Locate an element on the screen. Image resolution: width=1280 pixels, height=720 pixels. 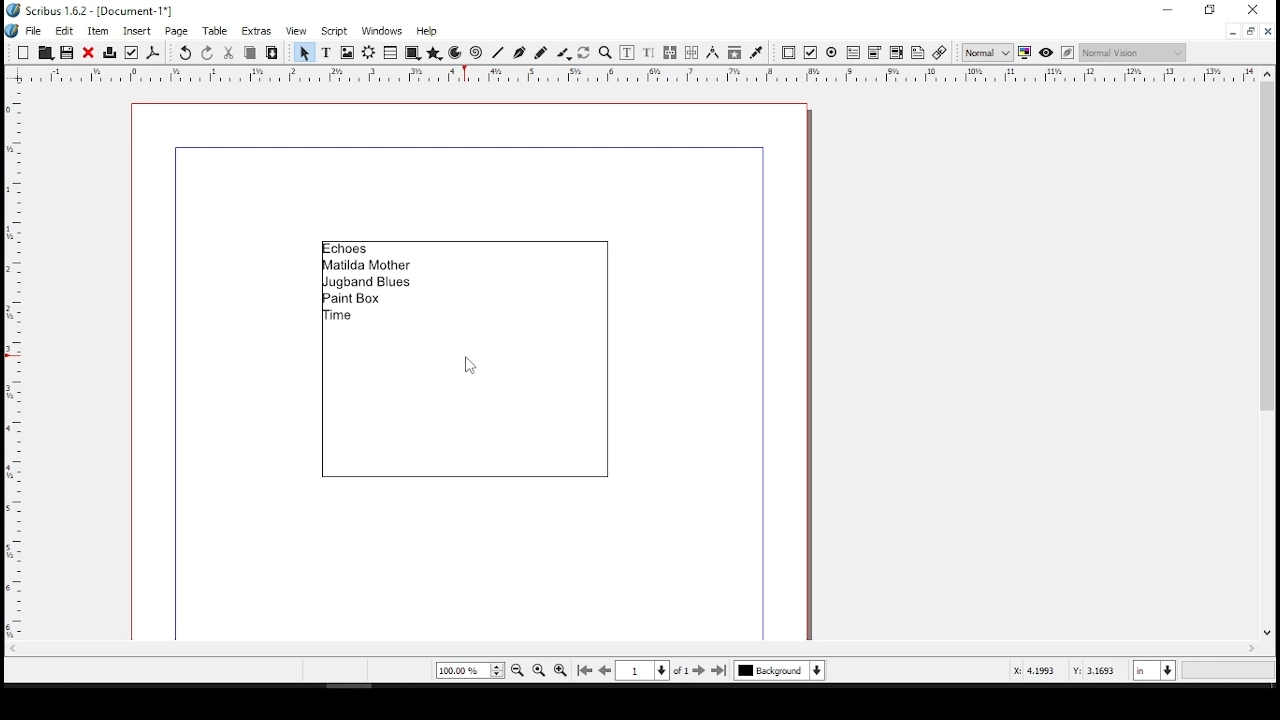
line is located at coordinates (499, 52).